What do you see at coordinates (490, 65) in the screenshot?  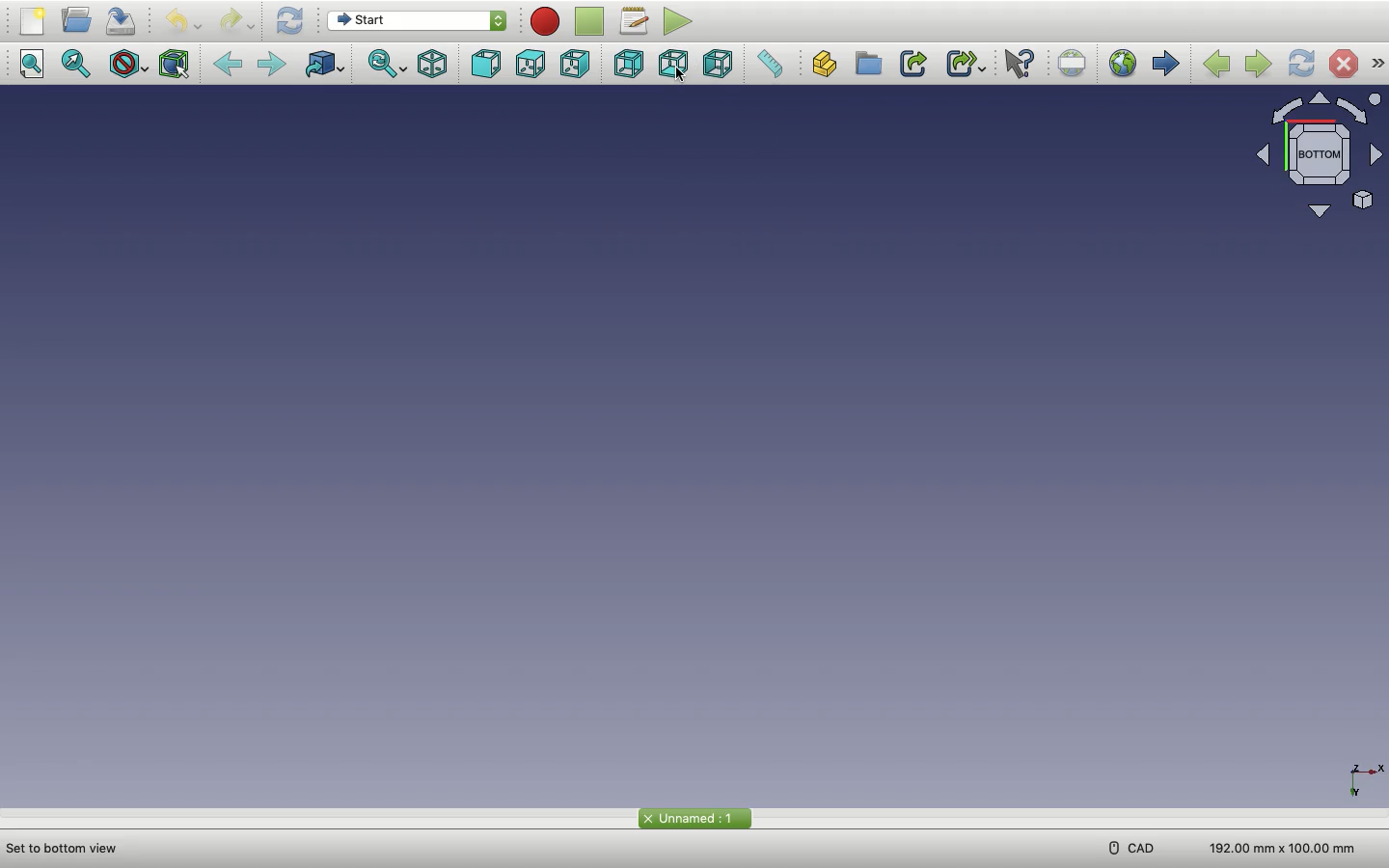 I see `Front` at bounding box center [490, 65].